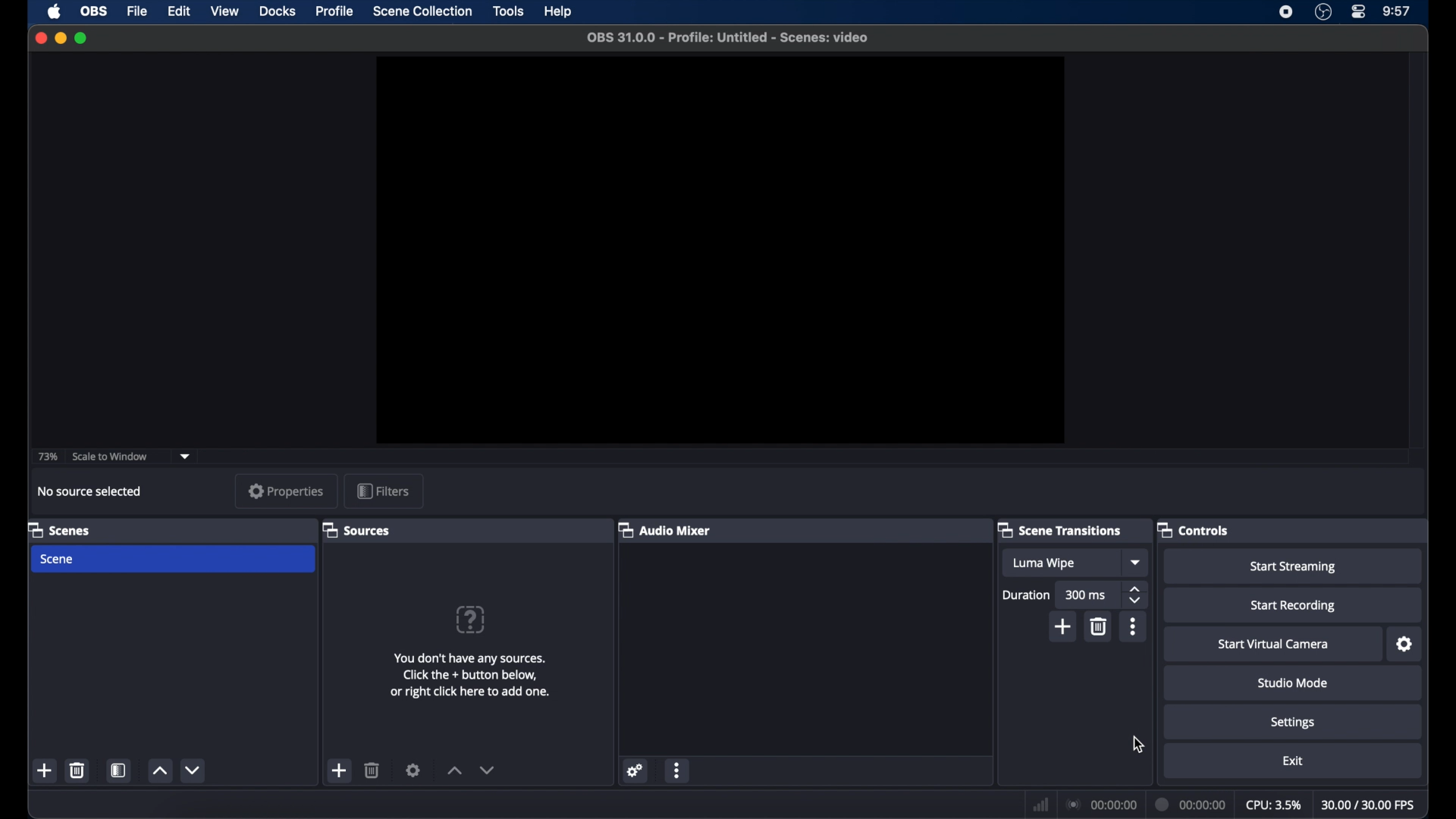 Image resolution: width=1456 pixels, height=819 pixels. I want to click on audio mixer, so click(665, 529).